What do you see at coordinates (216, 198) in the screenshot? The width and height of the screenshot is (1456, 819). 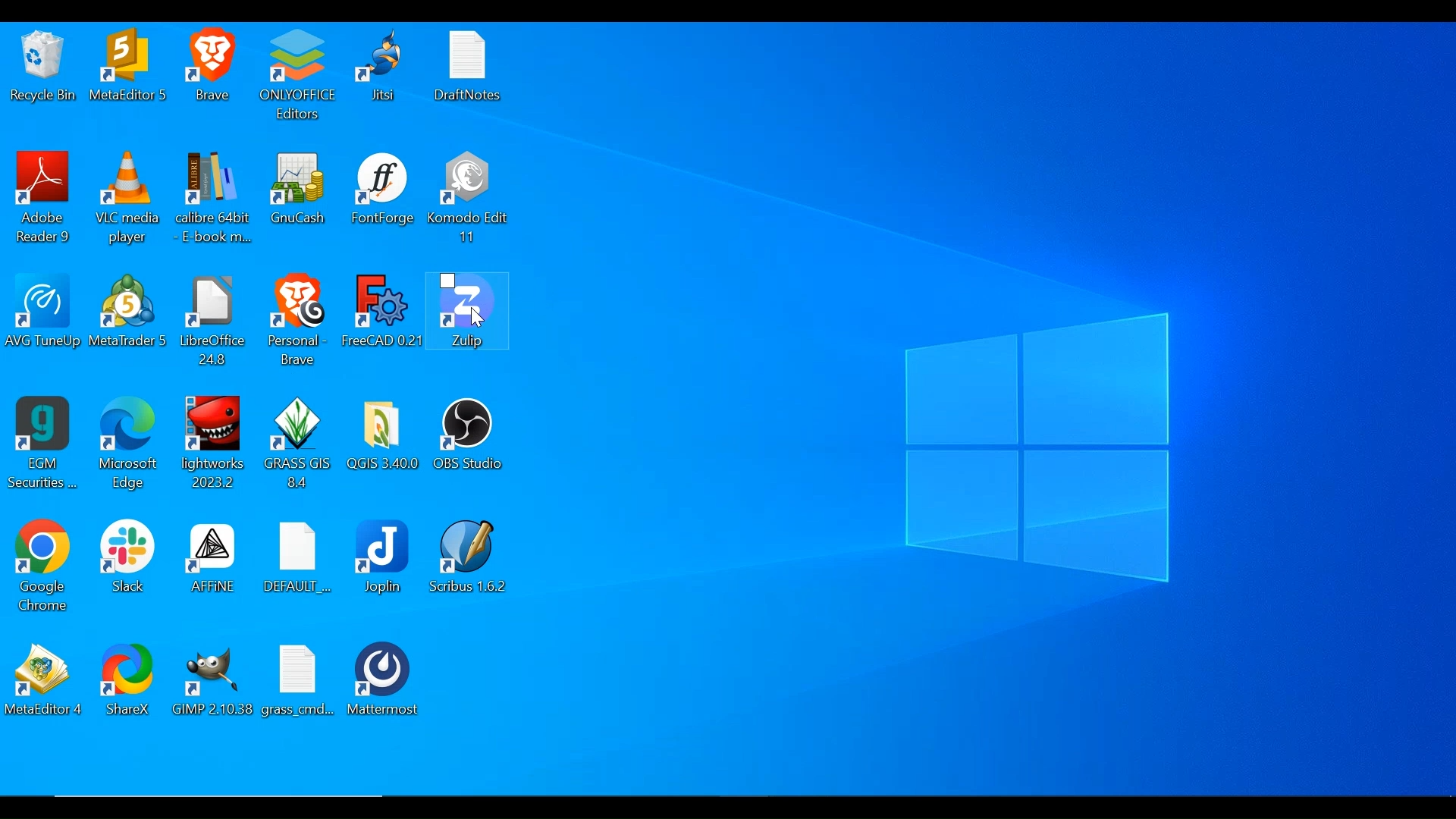 I see `Calibre Desktop Desktop icon` at bounding box center [216, 198].